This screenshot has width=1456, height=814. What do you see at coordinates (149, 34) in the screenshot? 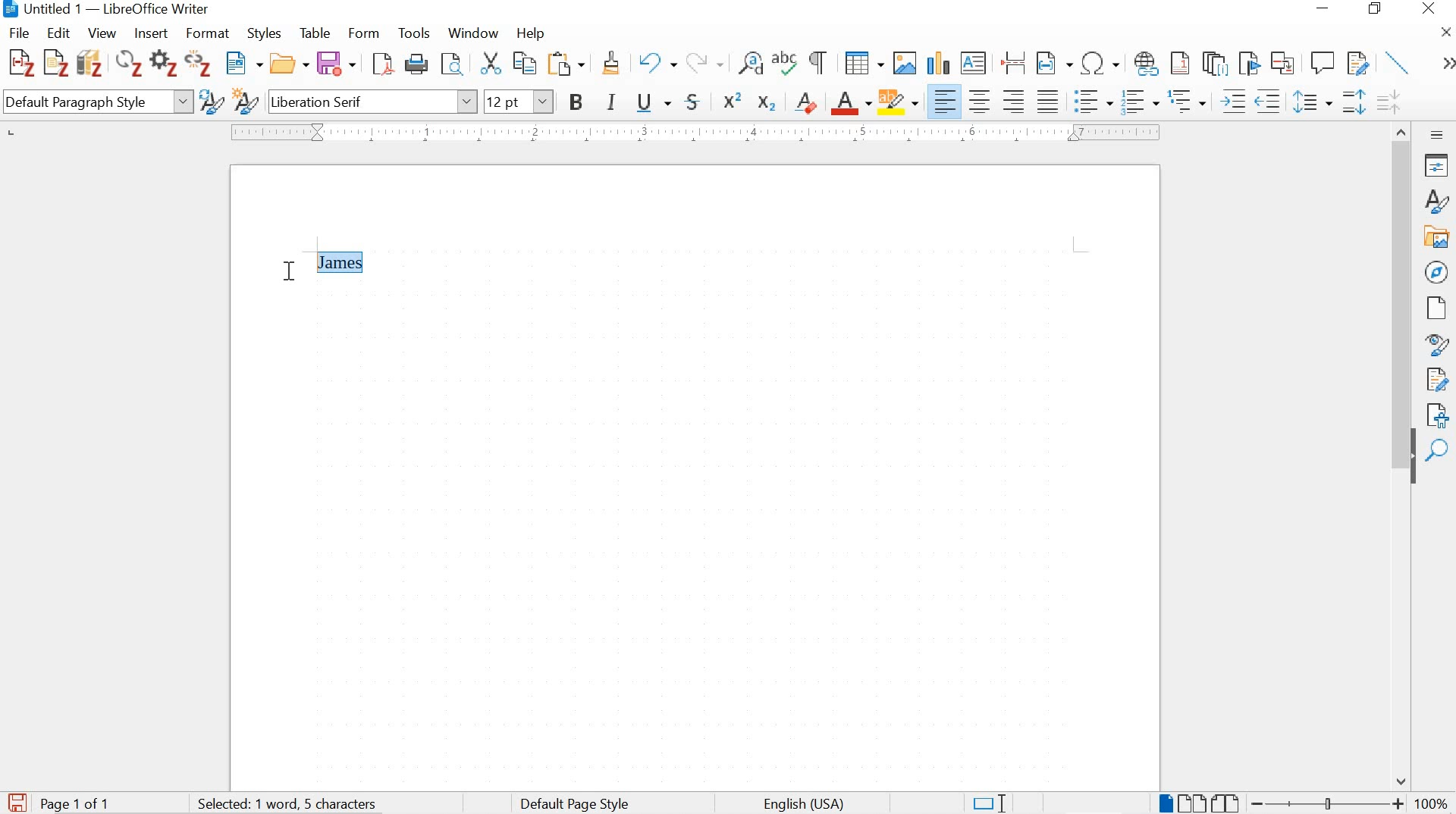
I see `insert` at bounding box center [149, 34].